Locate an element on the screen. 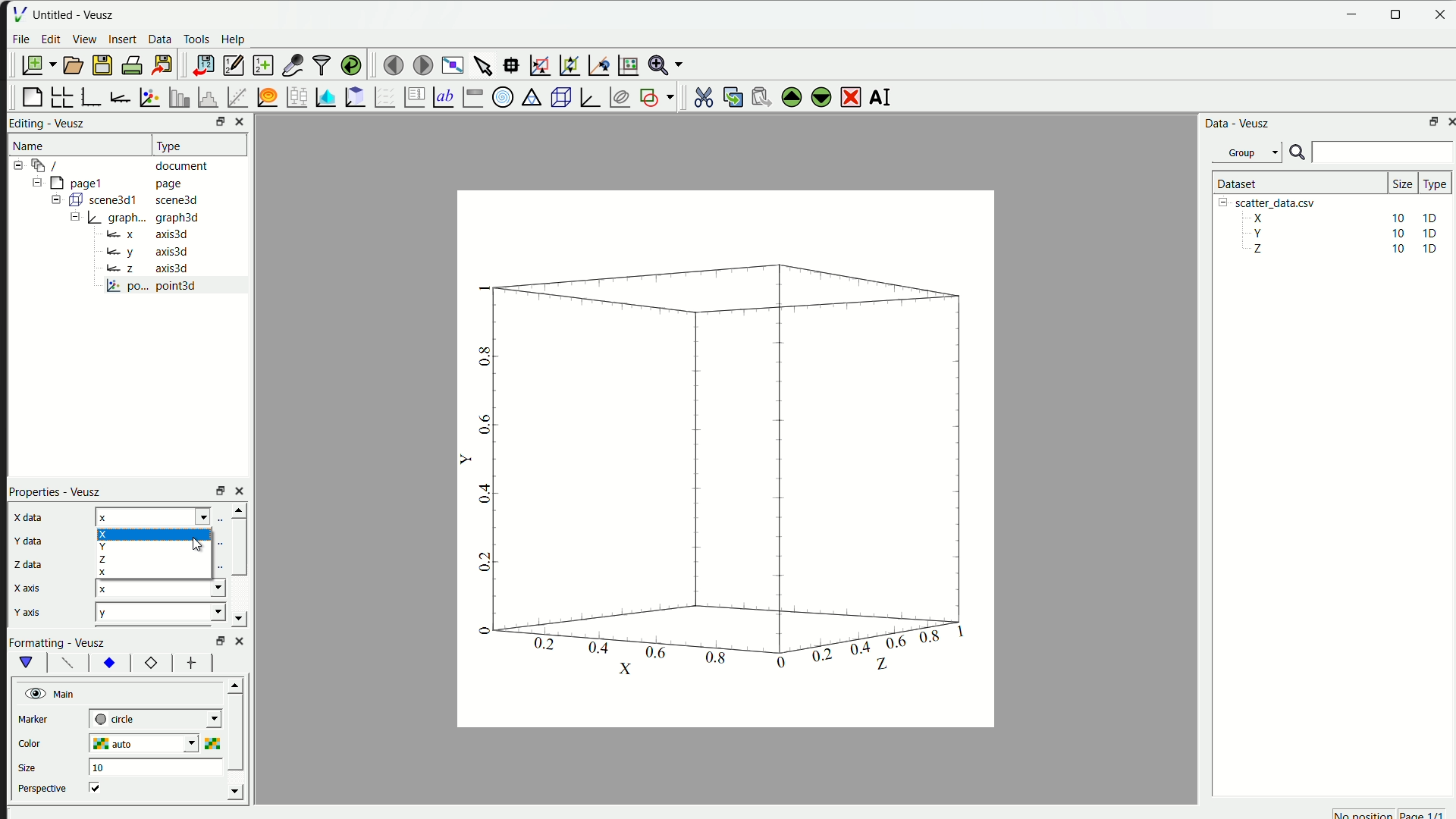 The image size is (1456, 819). color is located at coordinates (46, 742).